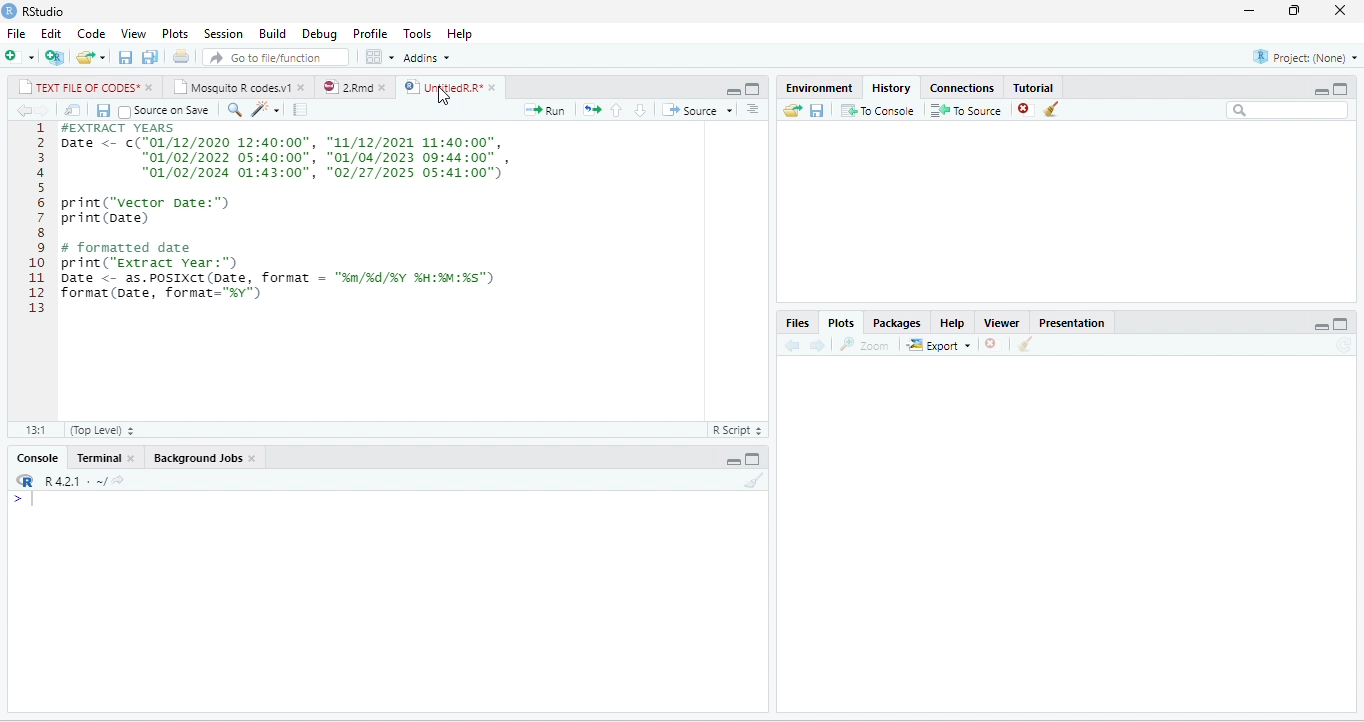  What do you see at coordinates (20, 57) in the screenshot?
I see `new file` at bounding box center [20, 57].